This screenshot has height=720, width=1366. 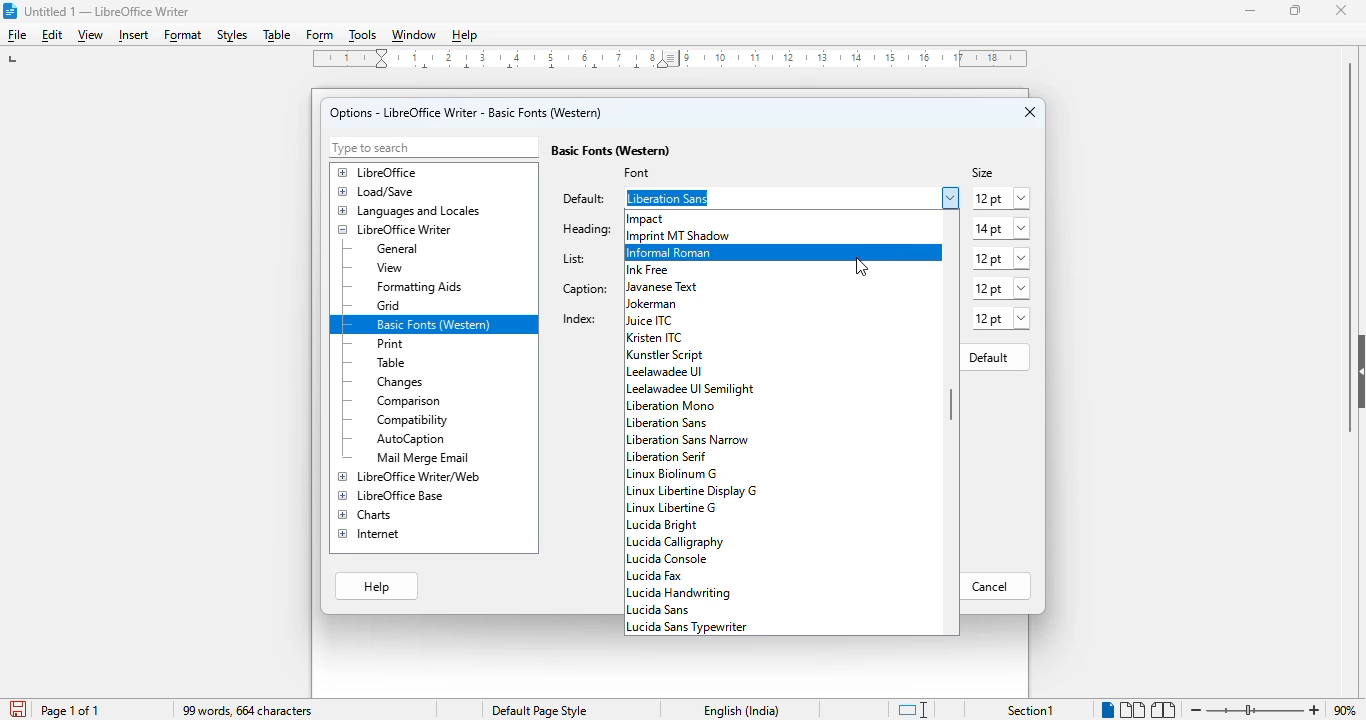 I want to click on window, so click(x=413, y=37).